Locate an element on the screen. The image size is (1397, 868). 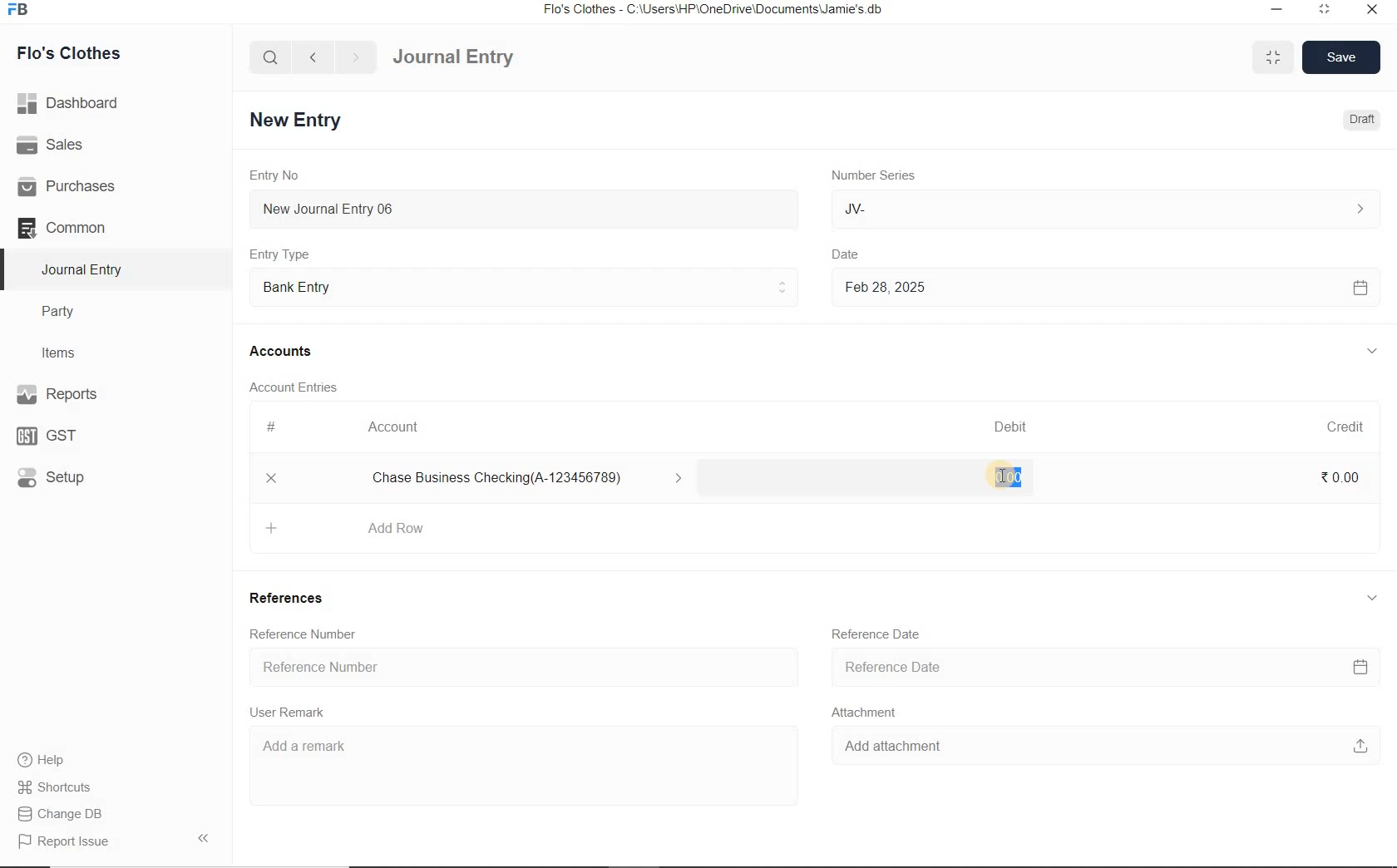
Entry Type is located at coordinates (285, 254).